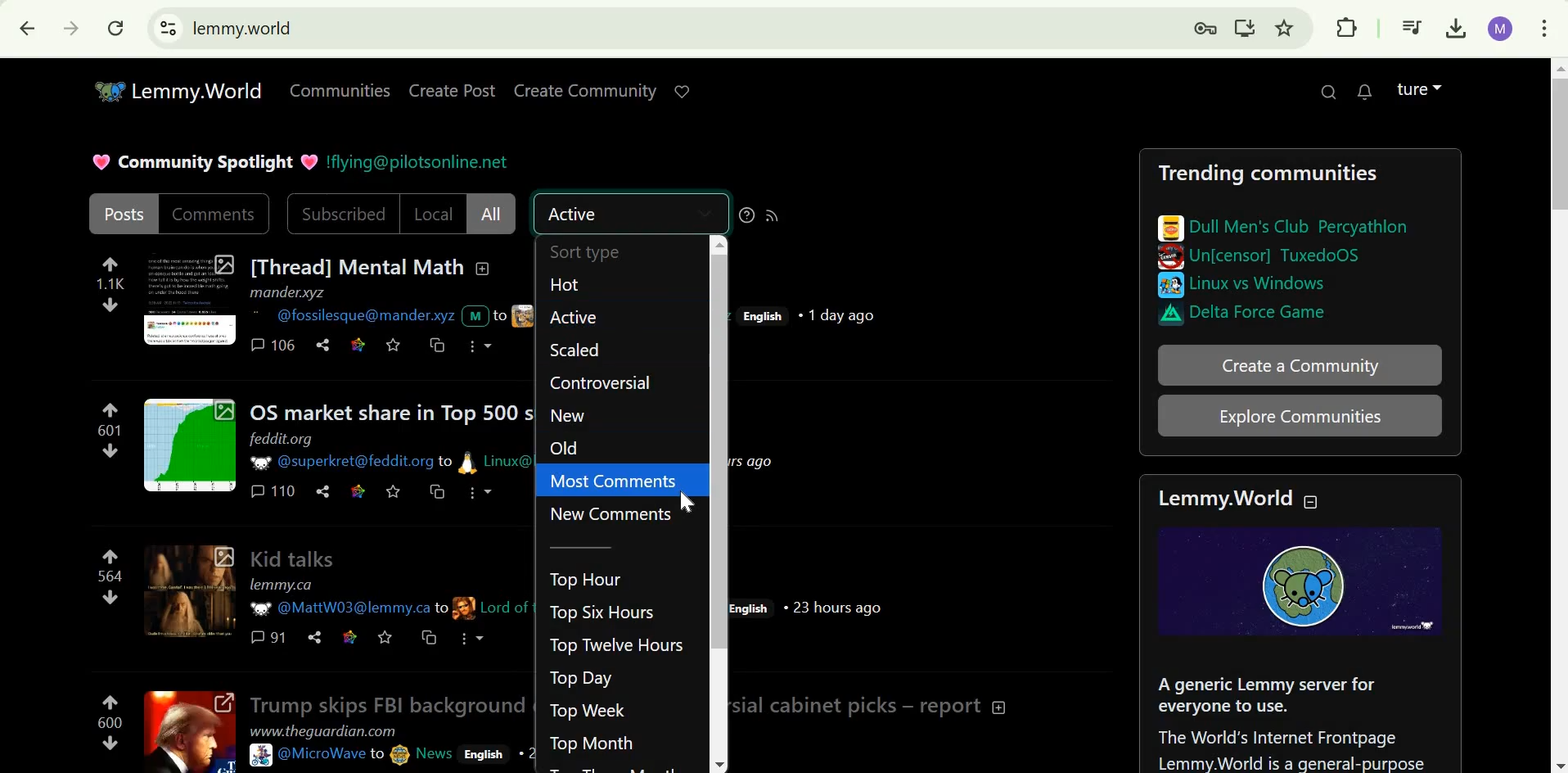  What do you see at coordinates (591, 581) in the screenshot?
I see `Top hour` at bounding box center [591, 581].